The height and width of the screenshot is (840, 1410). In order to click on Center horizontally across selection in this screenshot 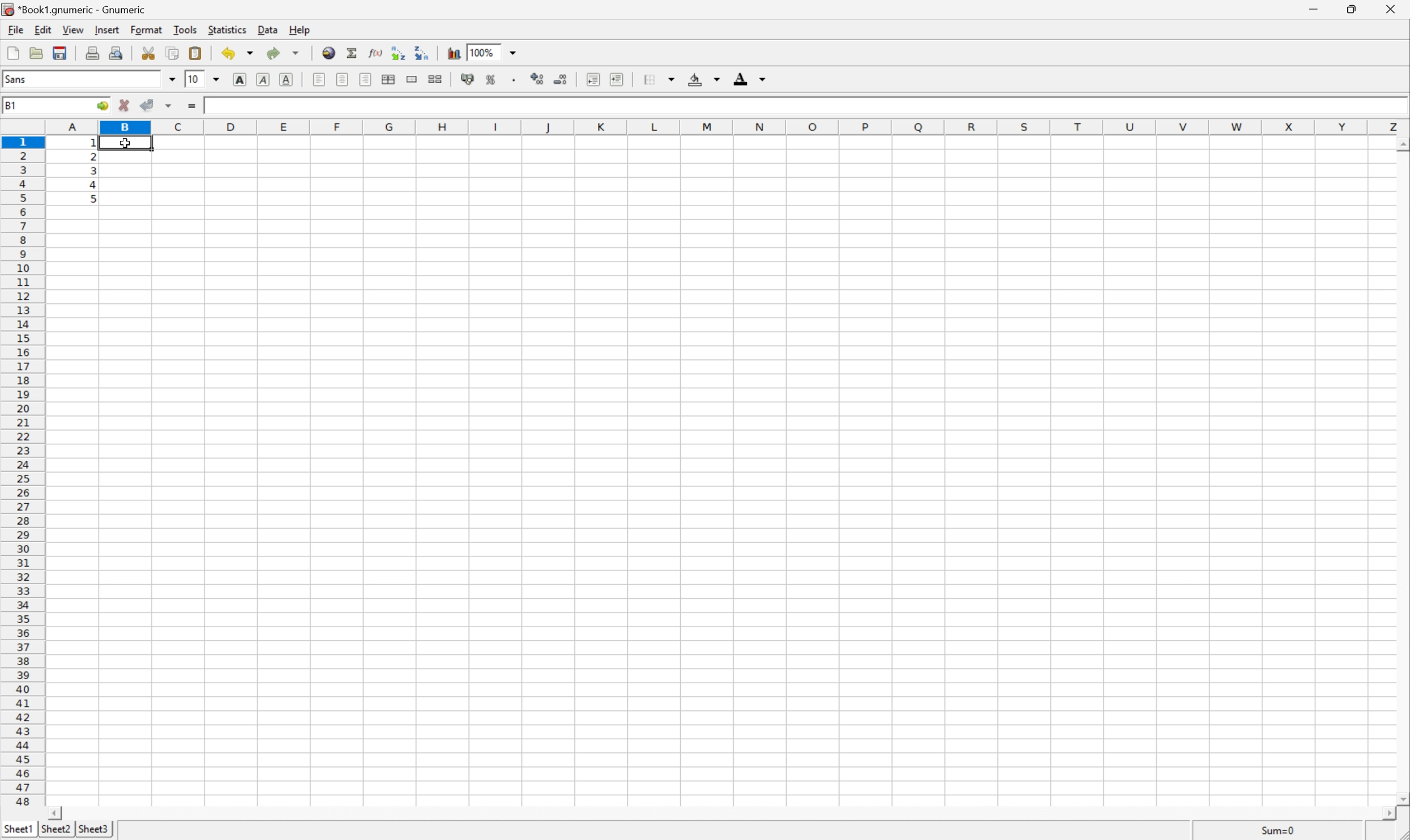, I will do `click(391, 79)`.